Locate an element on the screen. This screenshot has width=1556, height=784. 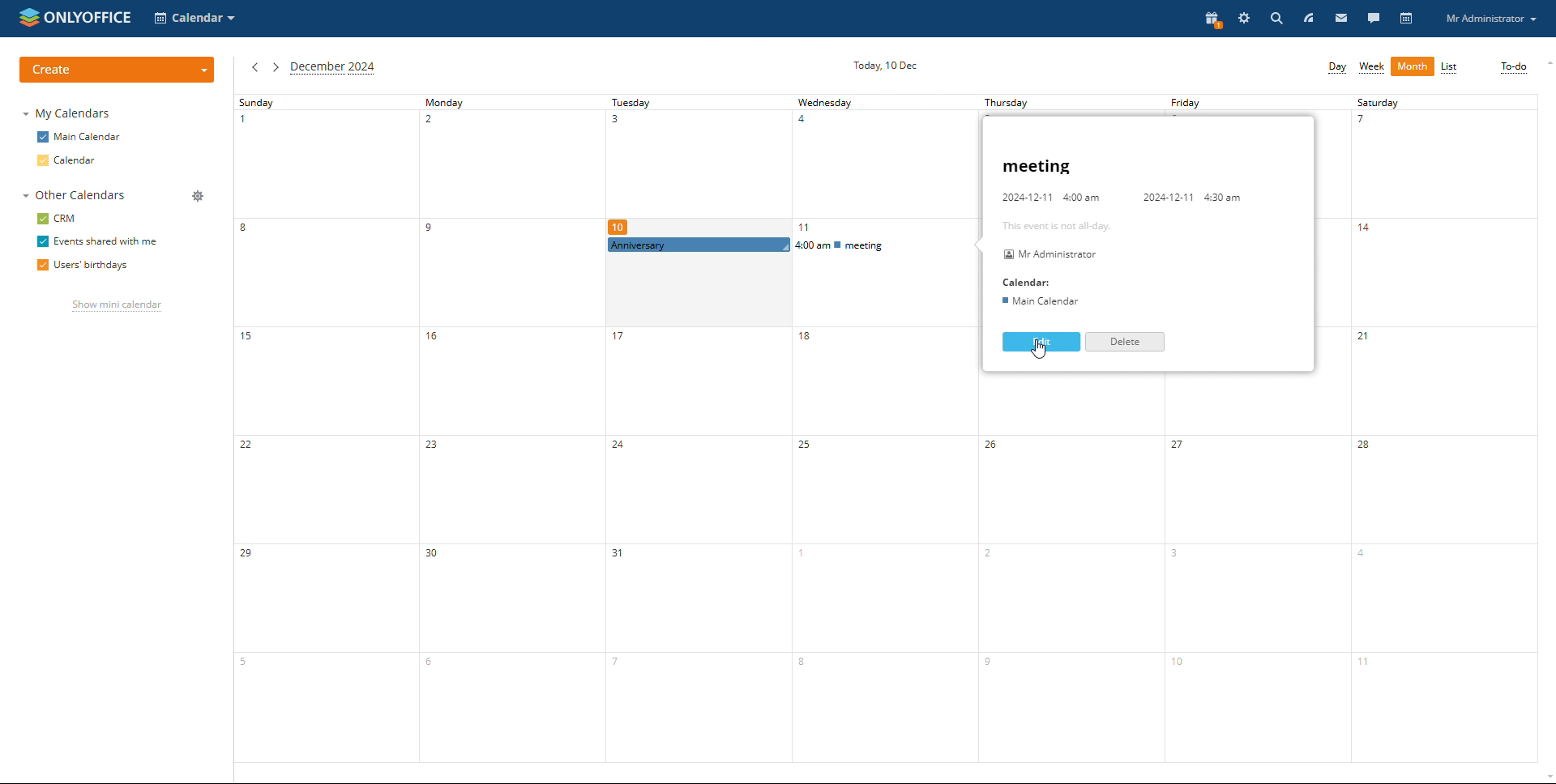
show mini calendar is located at coordinates (118, 306).